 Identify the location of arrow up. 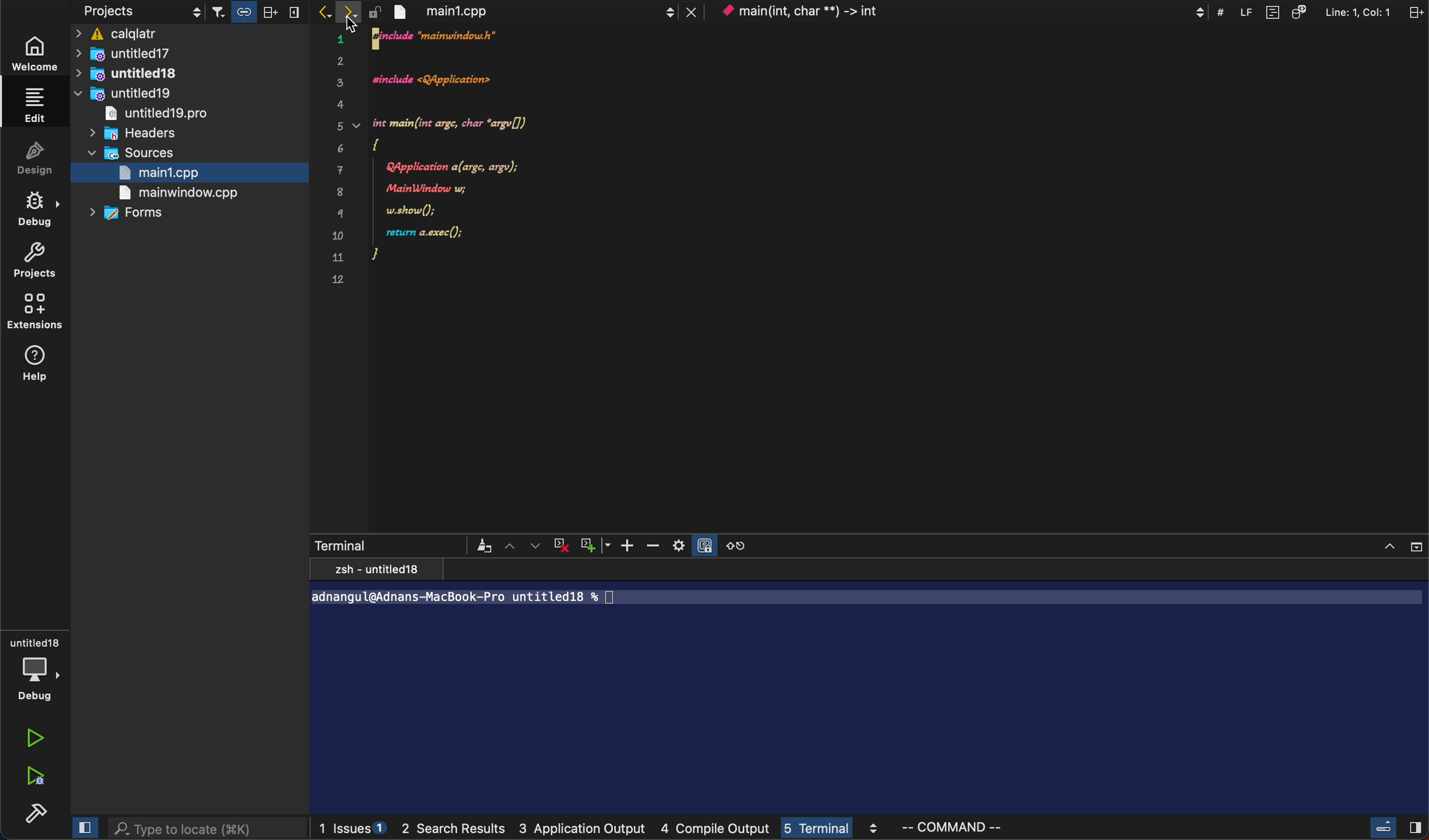
(511, 546).